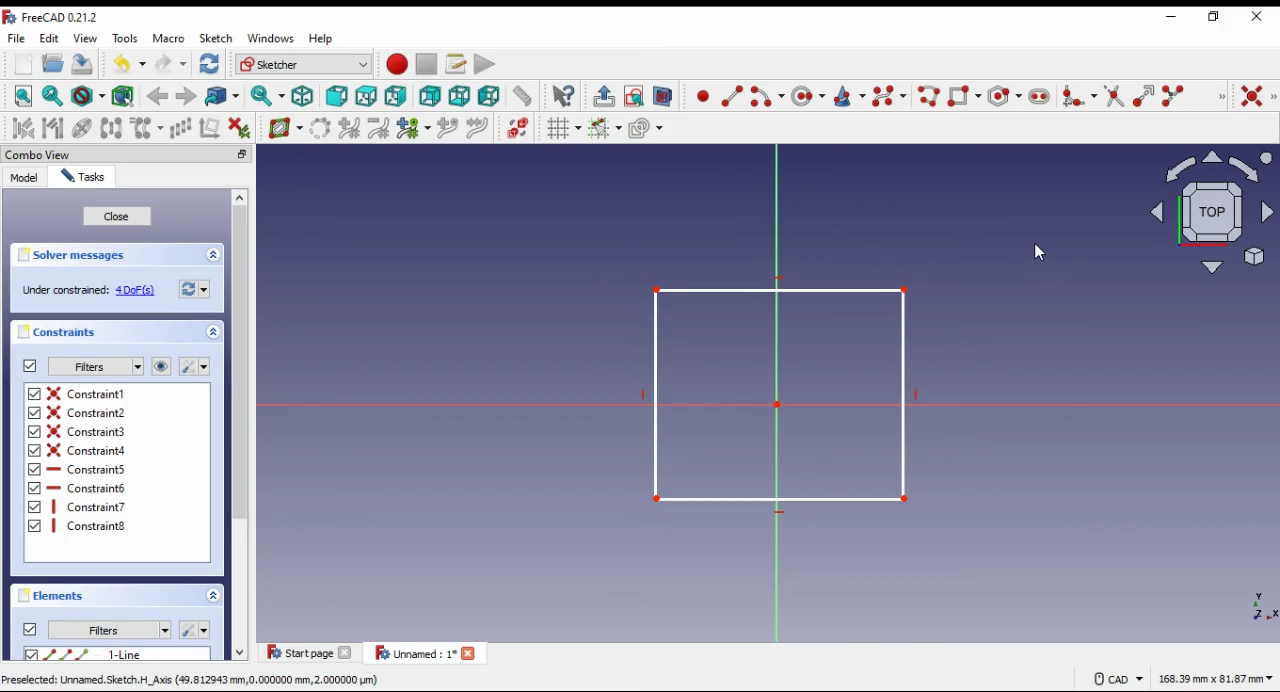 The image size is (1280, 692). Describe the element at coordinates (447, 129) in the screenshot. I see `insert knot` at that location.